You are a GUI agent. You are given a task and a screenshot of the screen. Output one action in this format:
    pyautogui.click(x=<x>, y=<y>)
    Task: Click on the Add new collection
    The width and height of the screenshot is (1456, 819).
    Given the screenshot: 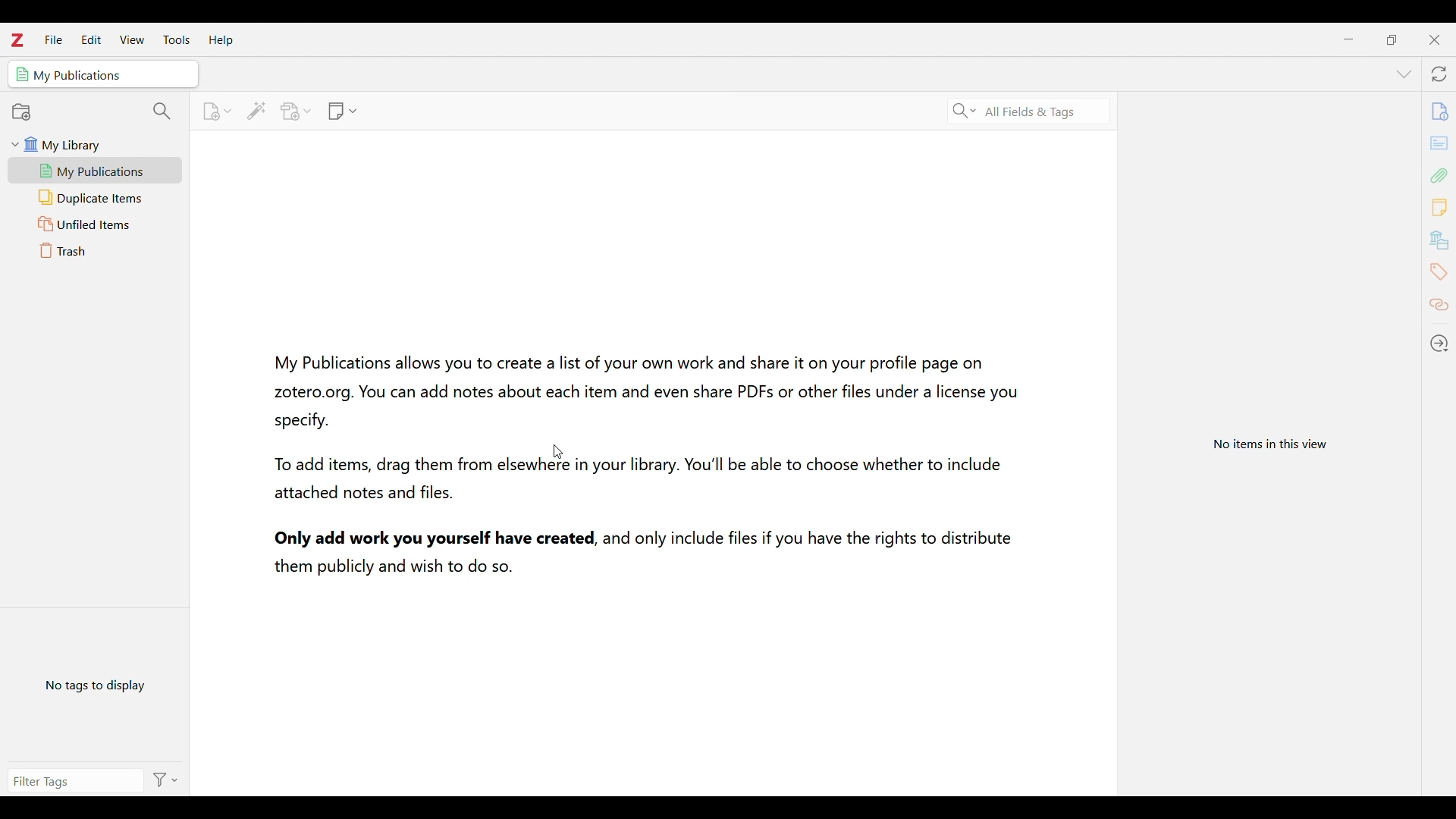 What is the action you would take?
    pyautogui.click(x=22, y=112)
    